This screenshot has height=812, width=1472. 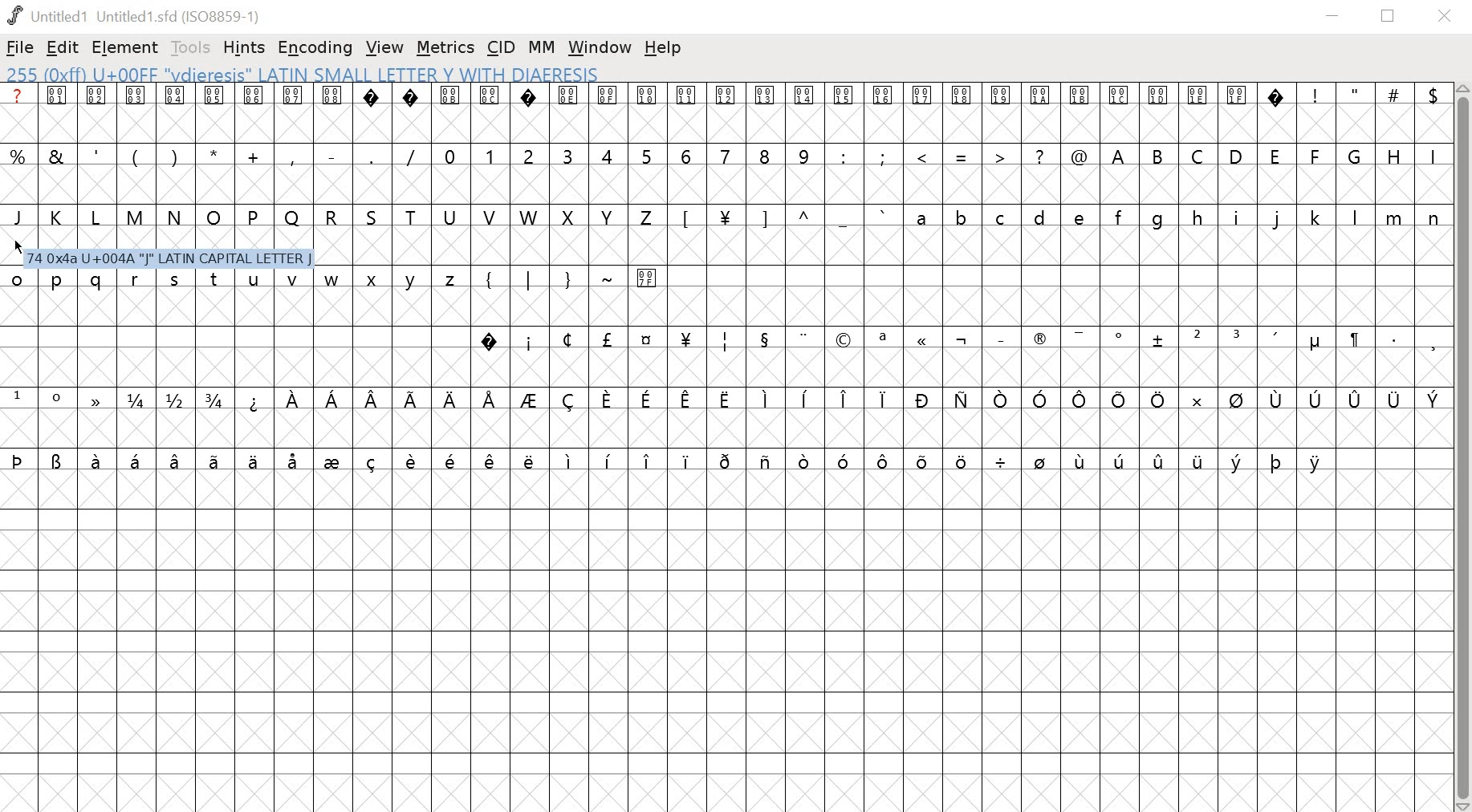 What do you see at coordinates (384, 49) in the screenshot?
I see `VIEW` at bounding box center [384, 49].